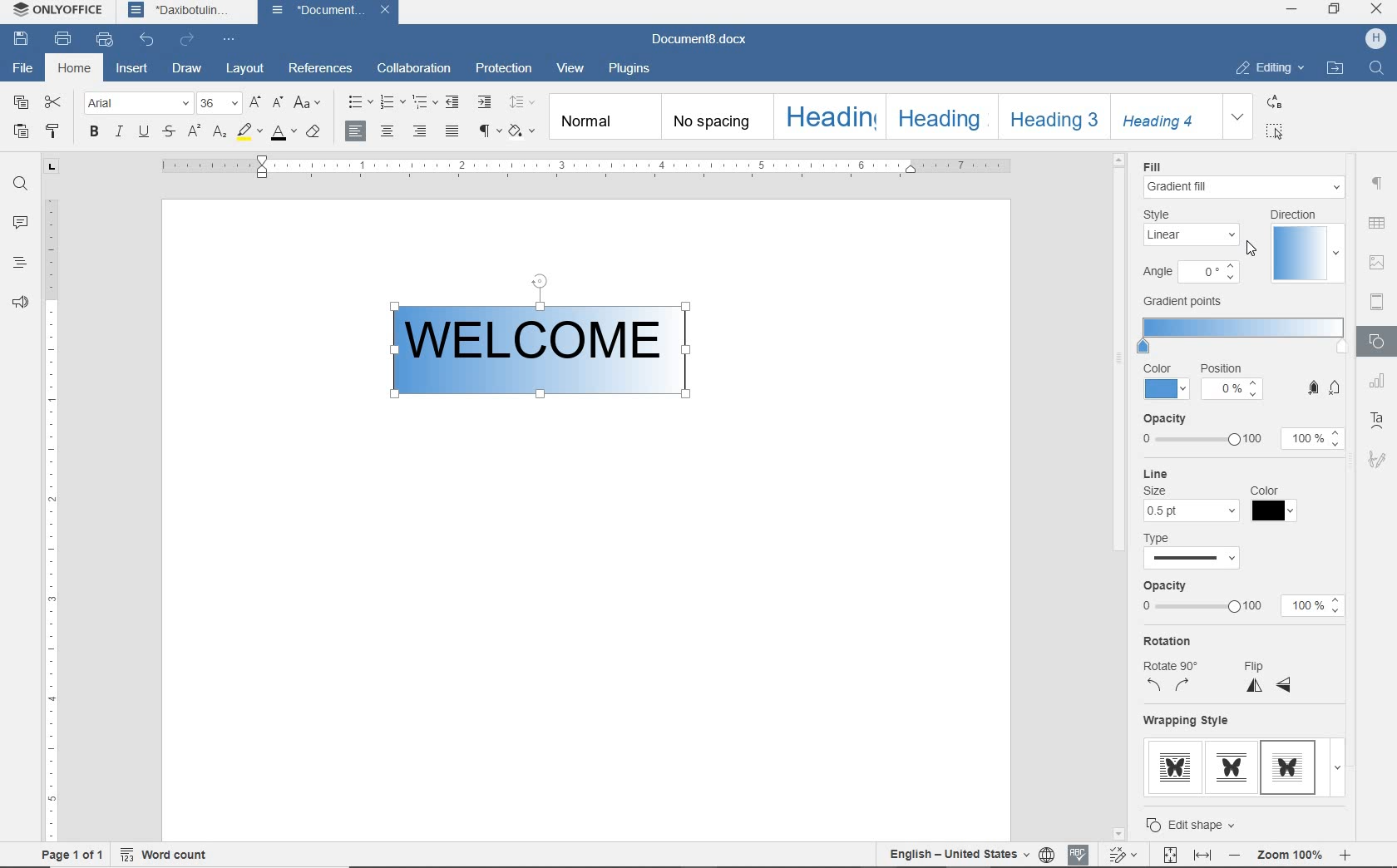  Describe the element at coordinates (1164, 384) in the screenshot. I see `color` at that location.